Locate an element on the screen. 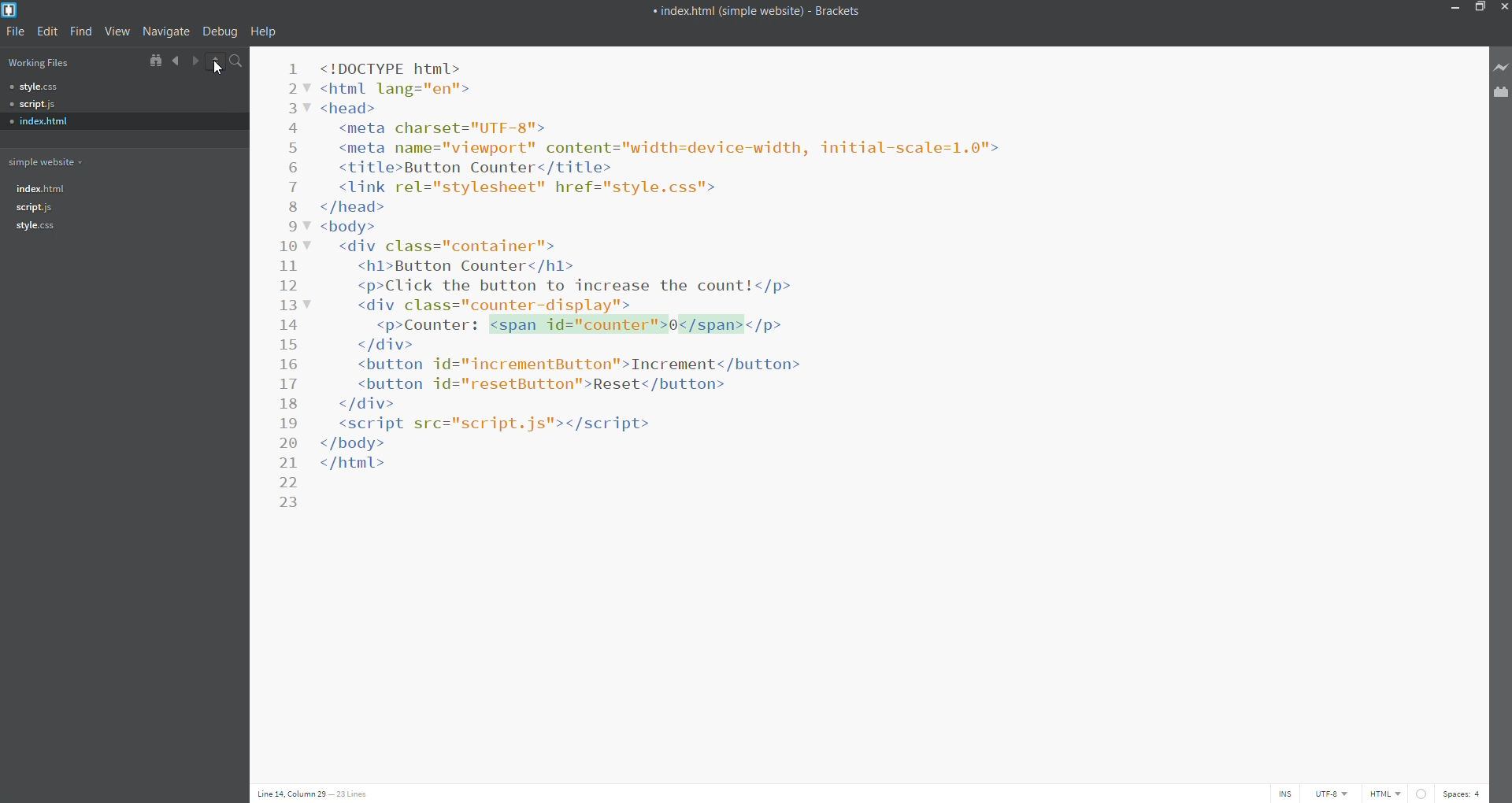 The image size is (1512, 803). navigate forward is located at coordinates (196, 61).